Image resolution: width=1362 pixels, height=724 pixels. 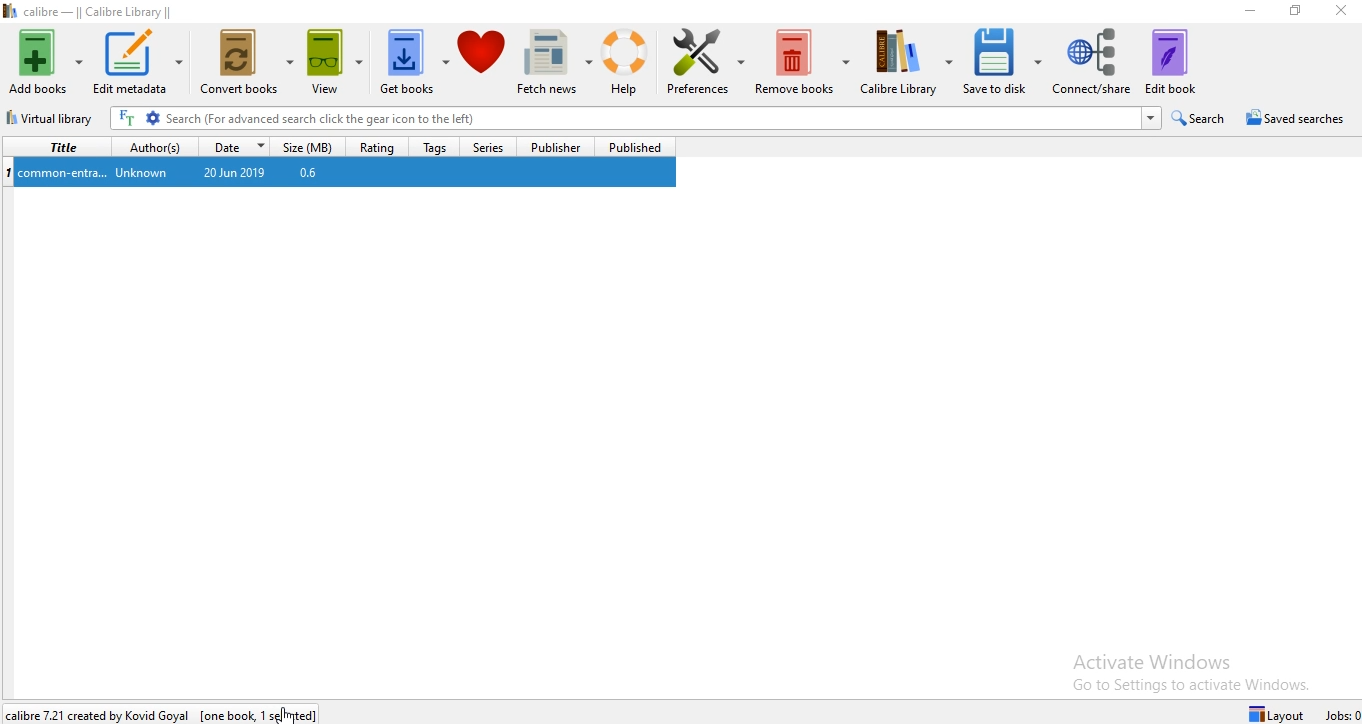 What do you see at coordinates (102, 11) in the screenshot?
I see `calibre - || Calibre Library ||` at bounding box center [102, 11].